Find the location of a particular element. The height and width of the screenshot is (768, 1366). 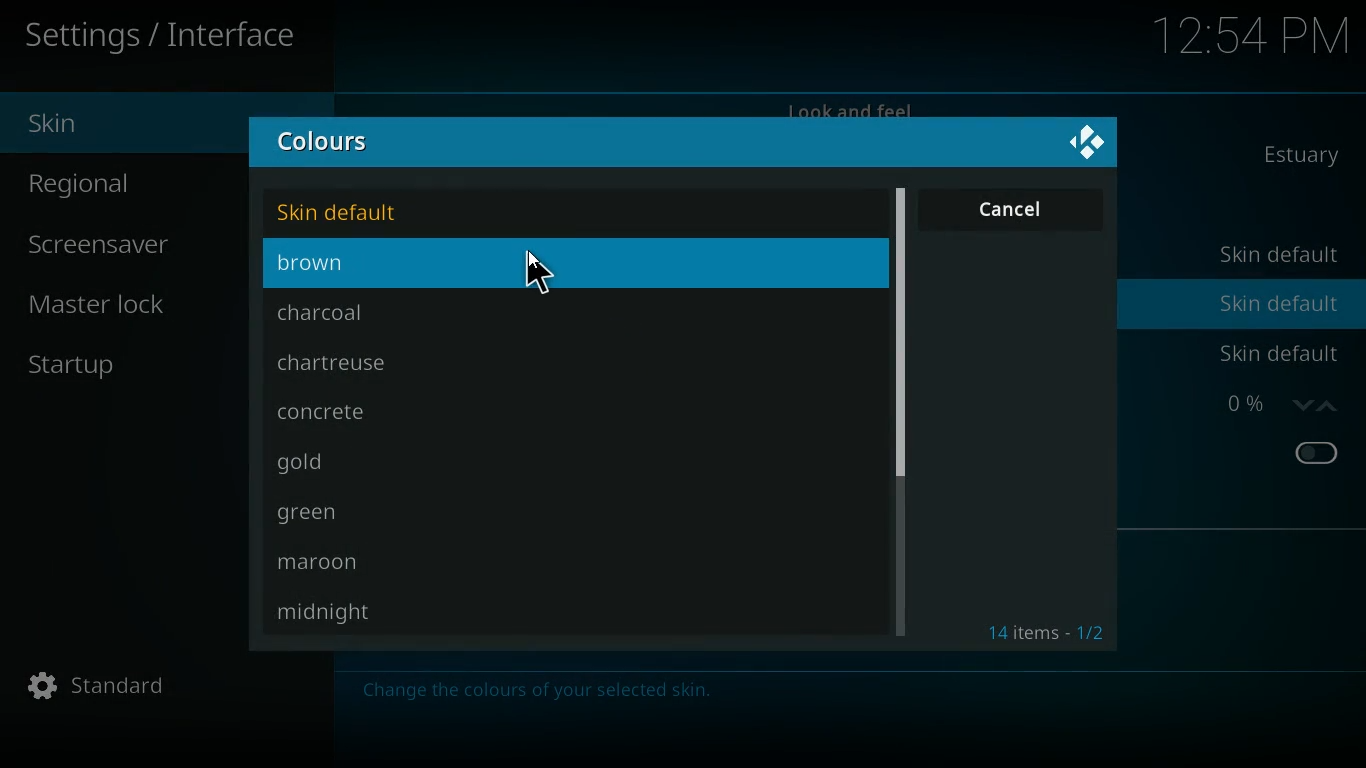

gold is located at coordinates (359, 464).